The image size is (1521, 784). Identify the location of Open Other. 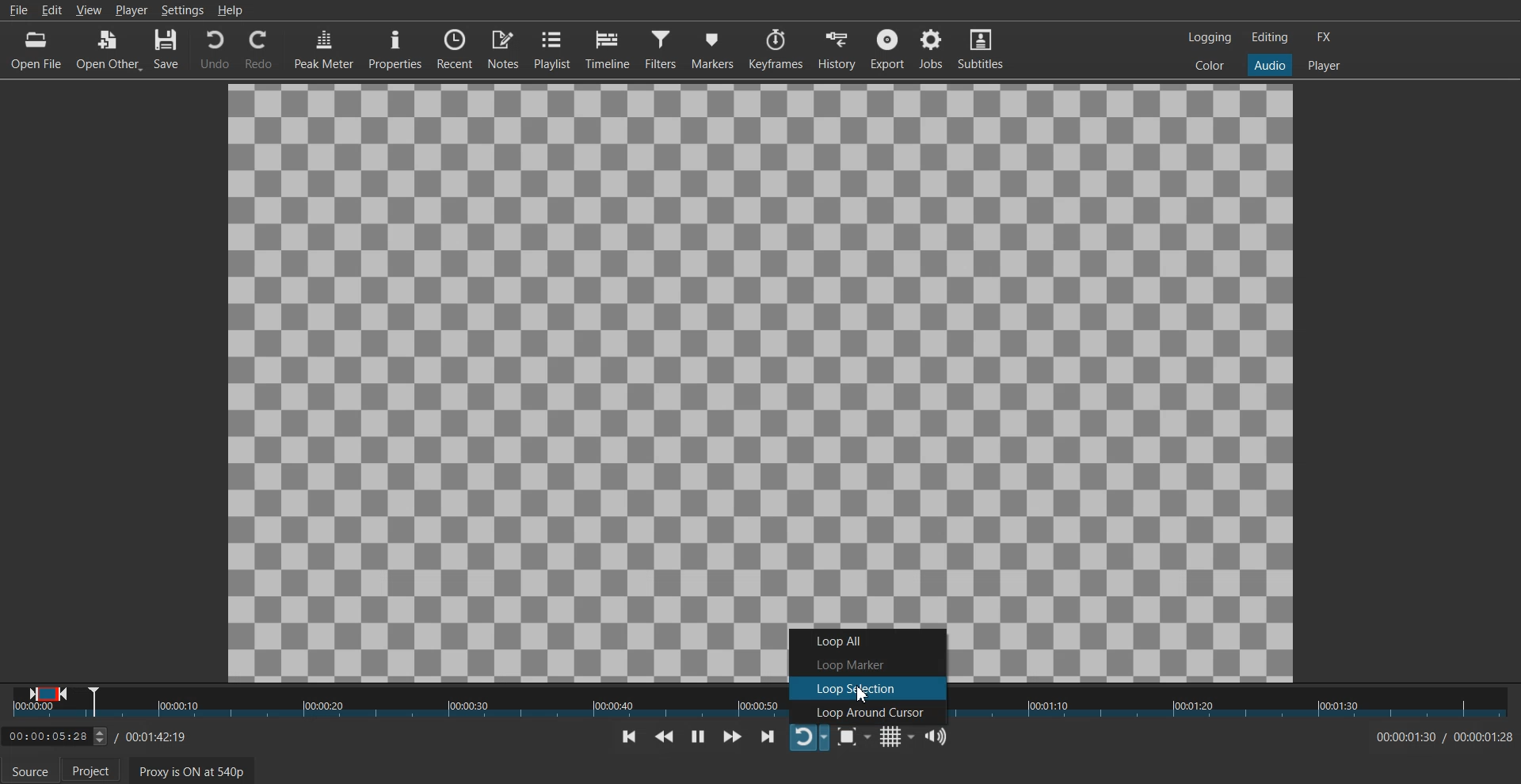
(109, 49).